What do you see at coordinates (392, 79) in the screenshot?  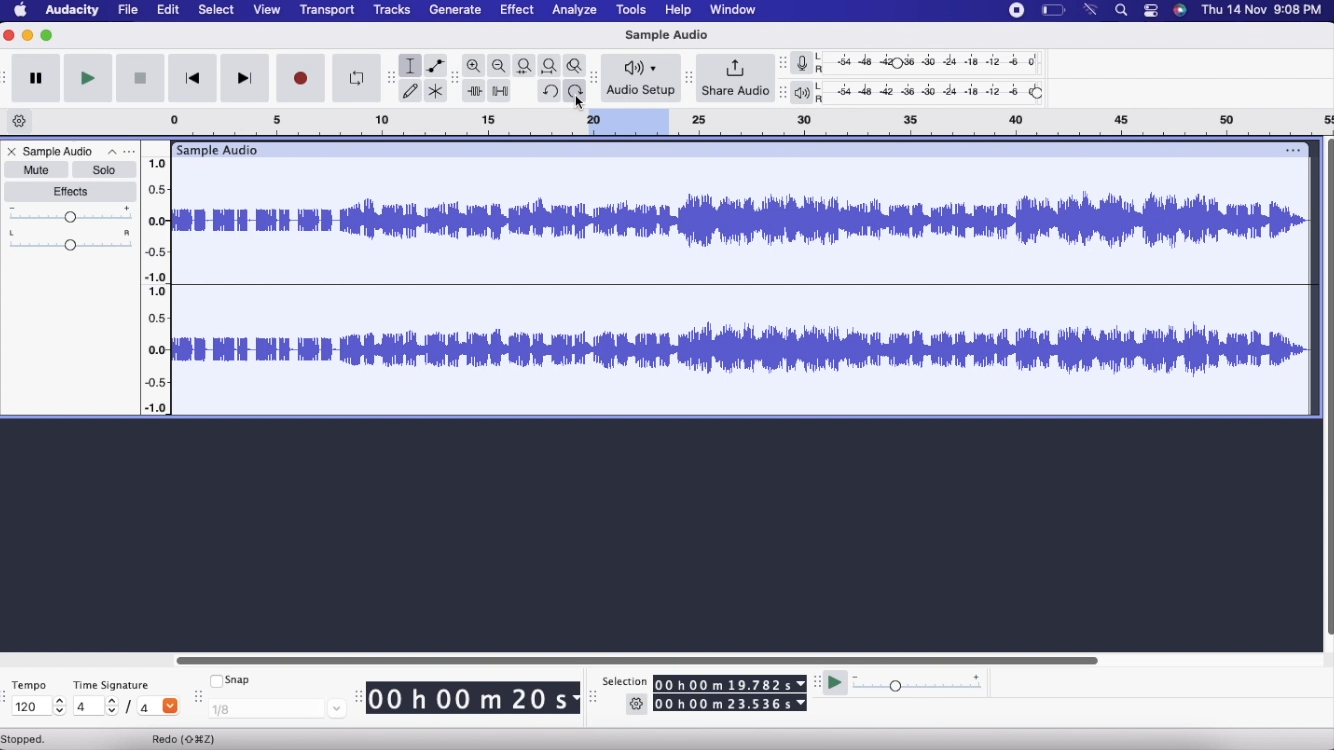 I see `move toolbar` at bounding box center [392, 79].